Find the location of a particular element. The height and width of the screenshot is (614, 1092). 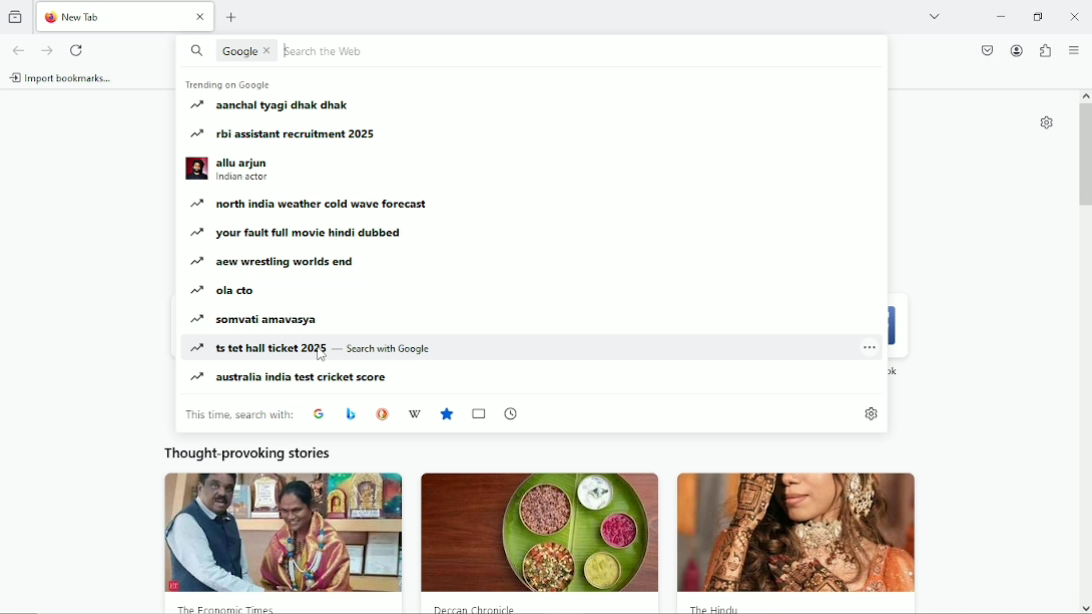

aew wrestling worlds end is located at coordinates (277, 264).